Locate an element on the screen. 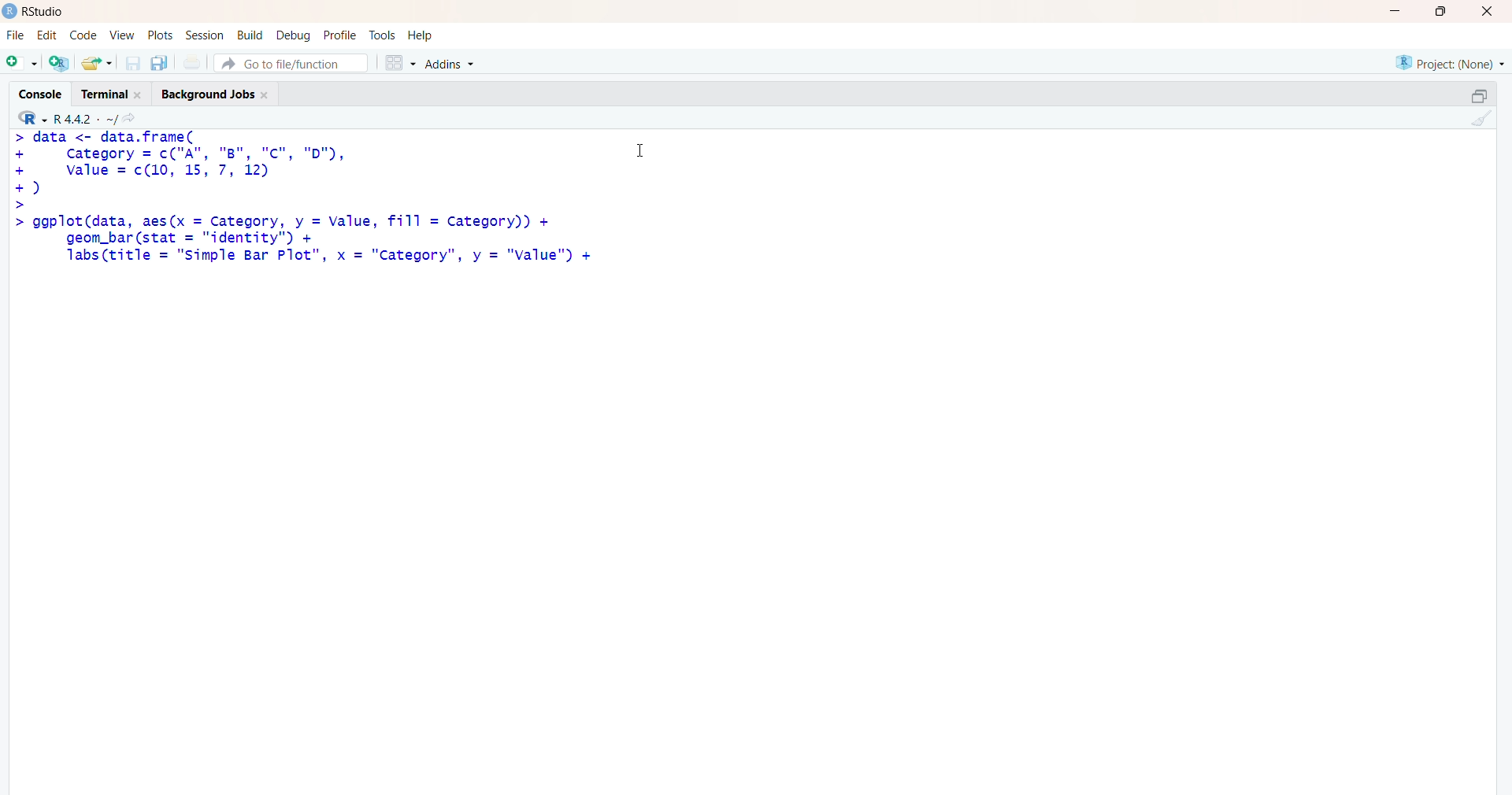 The image size is (1512, 795). plots is located at coordinates (162, 35).